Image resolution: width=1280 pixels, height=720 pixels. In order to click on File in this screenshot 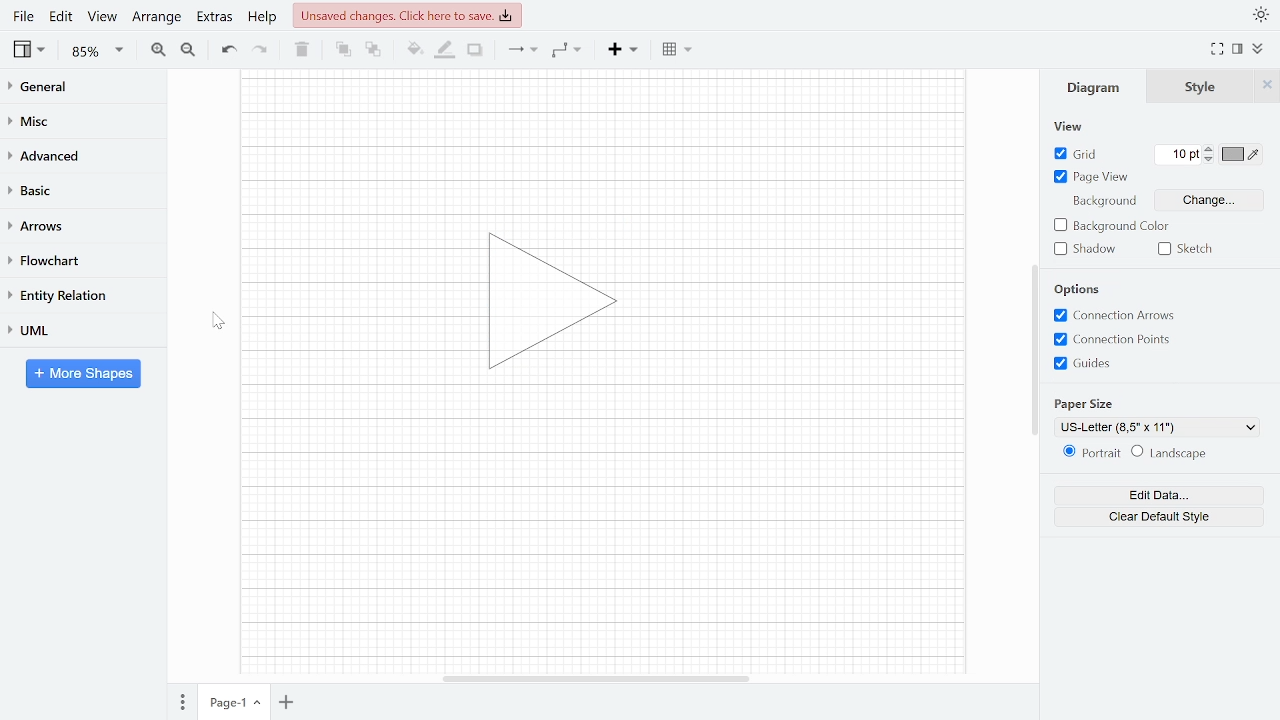, I will do `click(23, 16)`.